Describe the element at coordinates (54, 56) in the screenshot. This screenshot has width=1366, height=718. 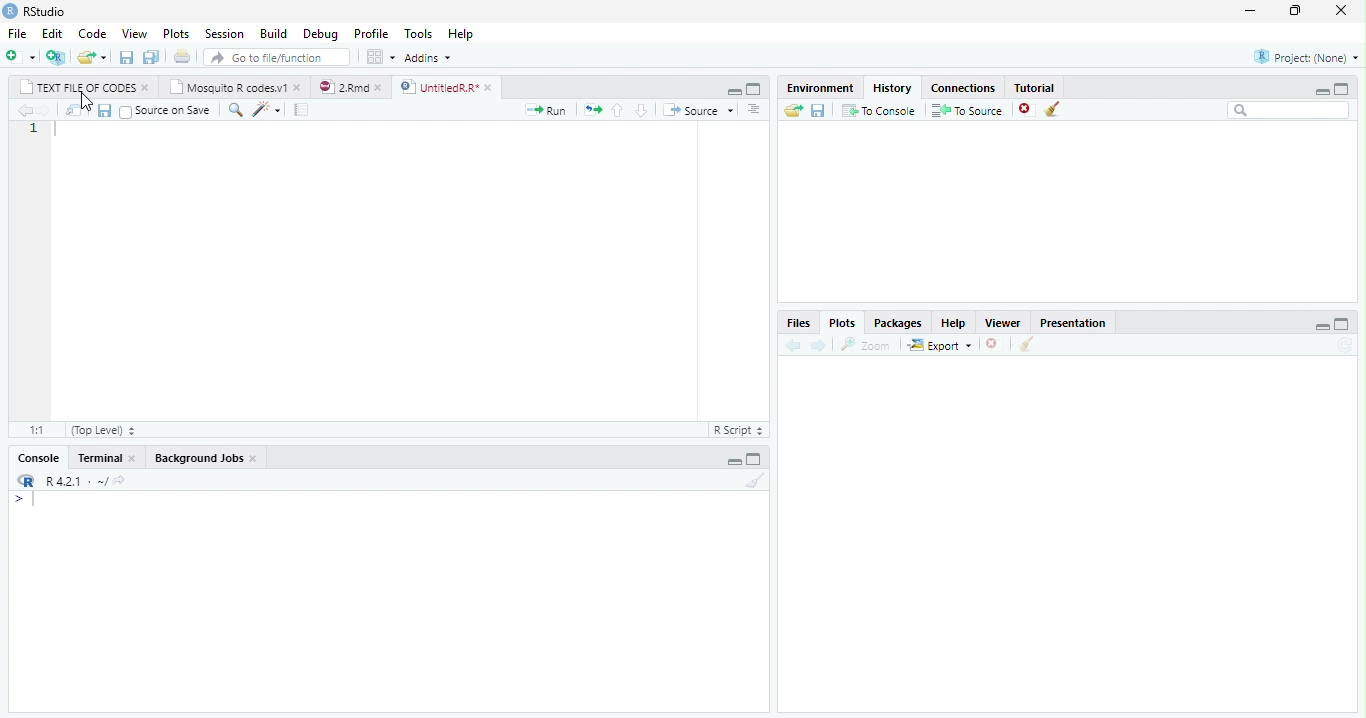
I see `create a project` at that location.